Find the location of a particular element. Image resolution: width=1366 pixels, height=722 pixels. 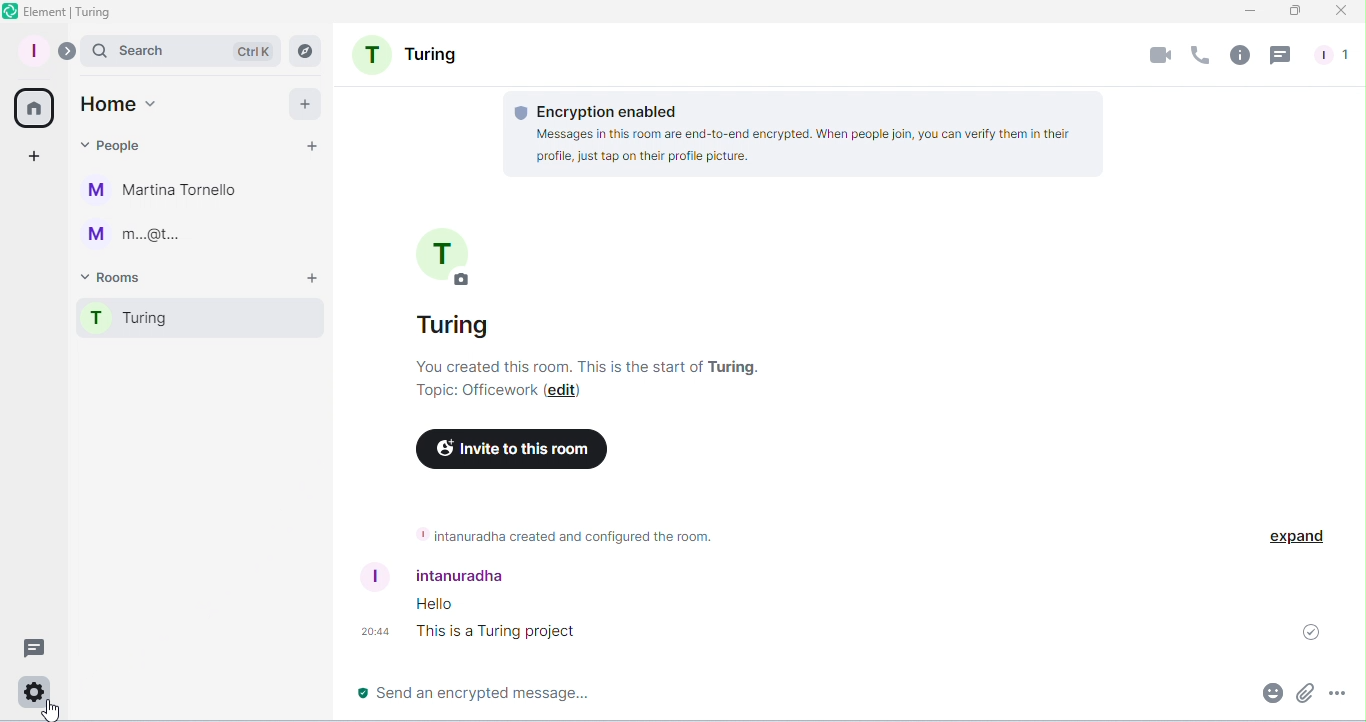

Edit is located at coordinates (562, 392).